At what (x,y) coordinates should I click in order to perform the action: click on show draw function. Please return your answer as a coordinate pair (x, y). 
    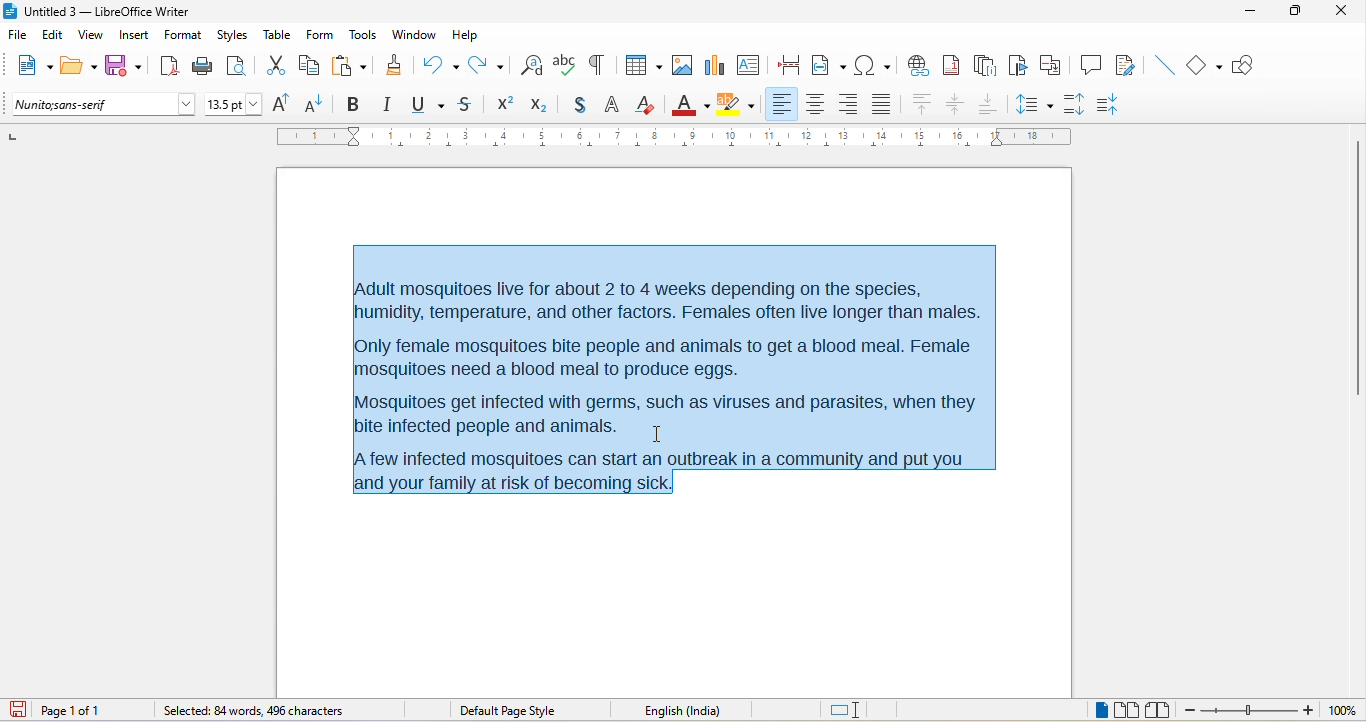
    Looking at the image, I should click on (1250, 65).